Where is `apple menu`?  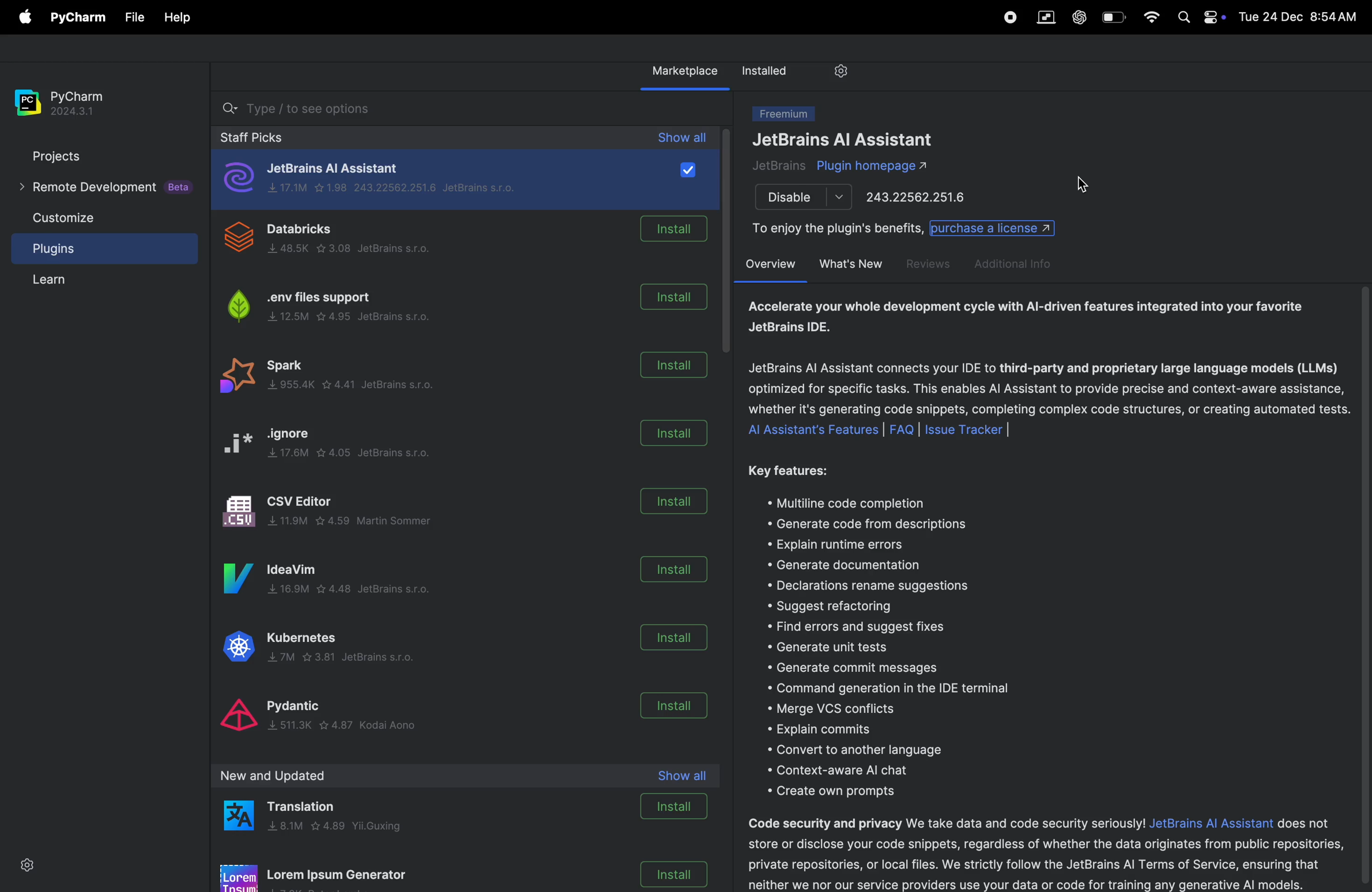
apple menu is located at coordinates (24, 16).